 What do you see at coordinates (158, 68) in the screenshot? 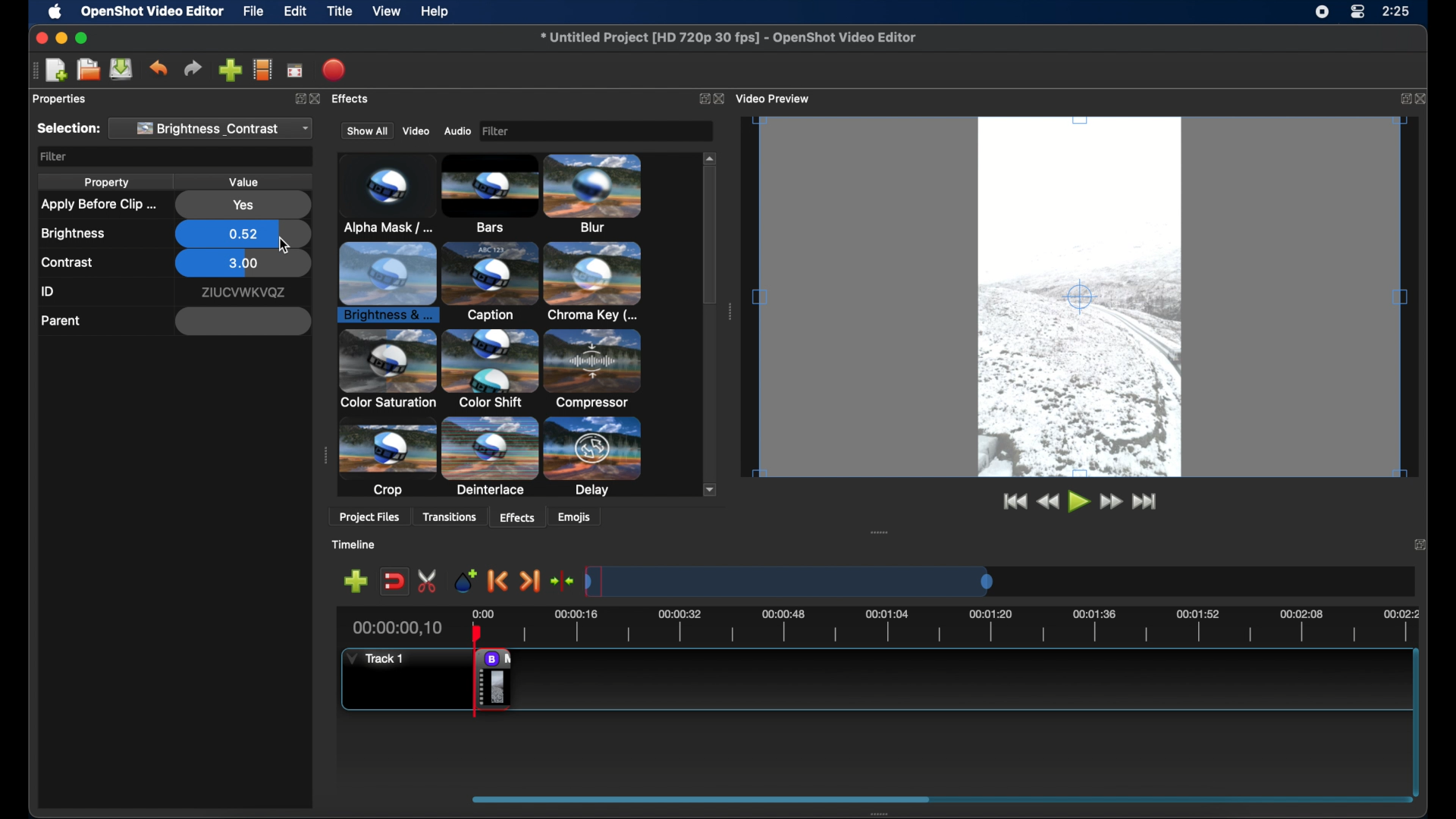
I see `undo` at bounding box center [158, 68].